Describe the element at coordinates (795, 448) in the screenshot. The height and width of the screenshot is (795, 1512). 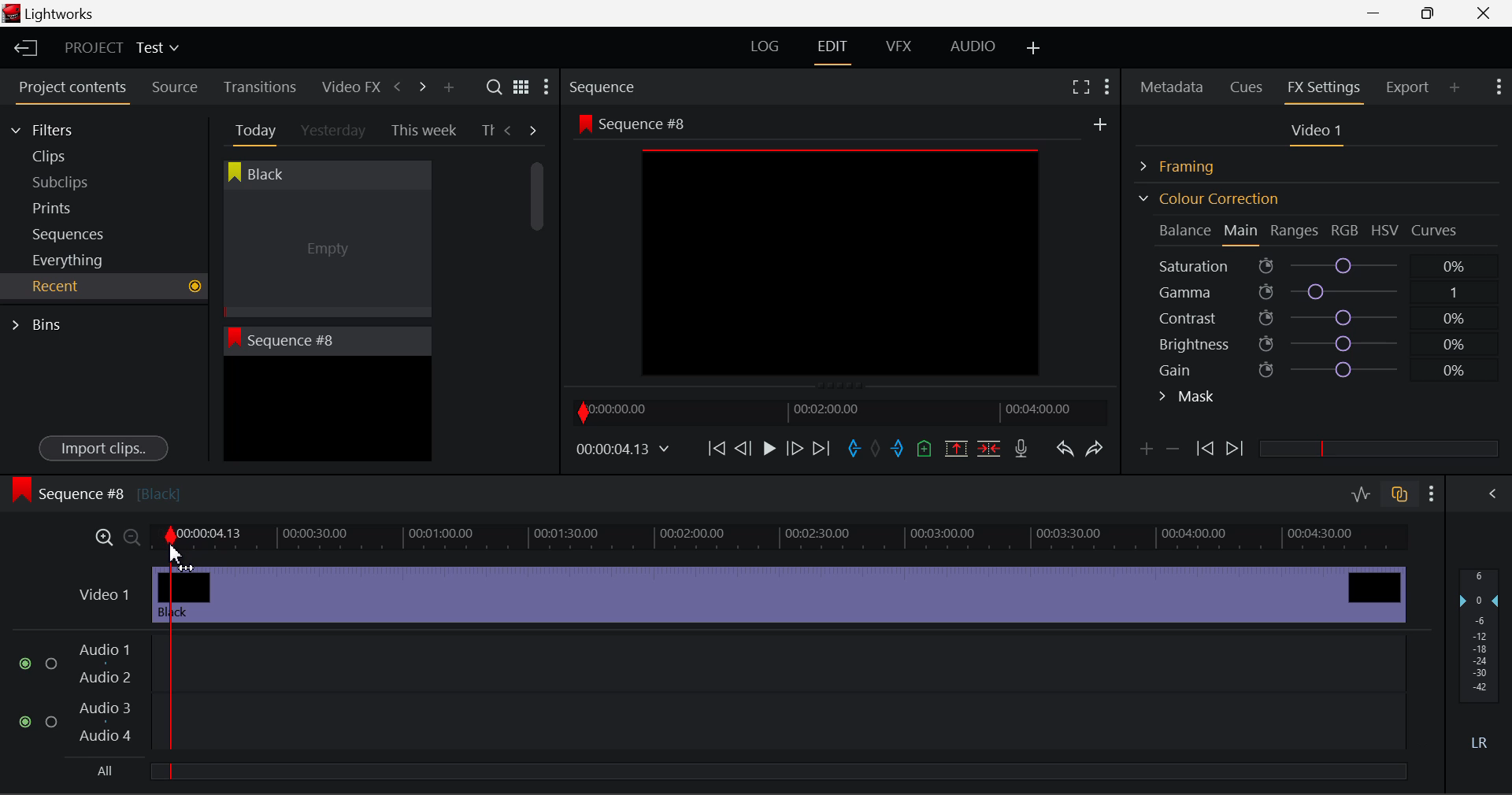
I see `Go Forward` at that location.